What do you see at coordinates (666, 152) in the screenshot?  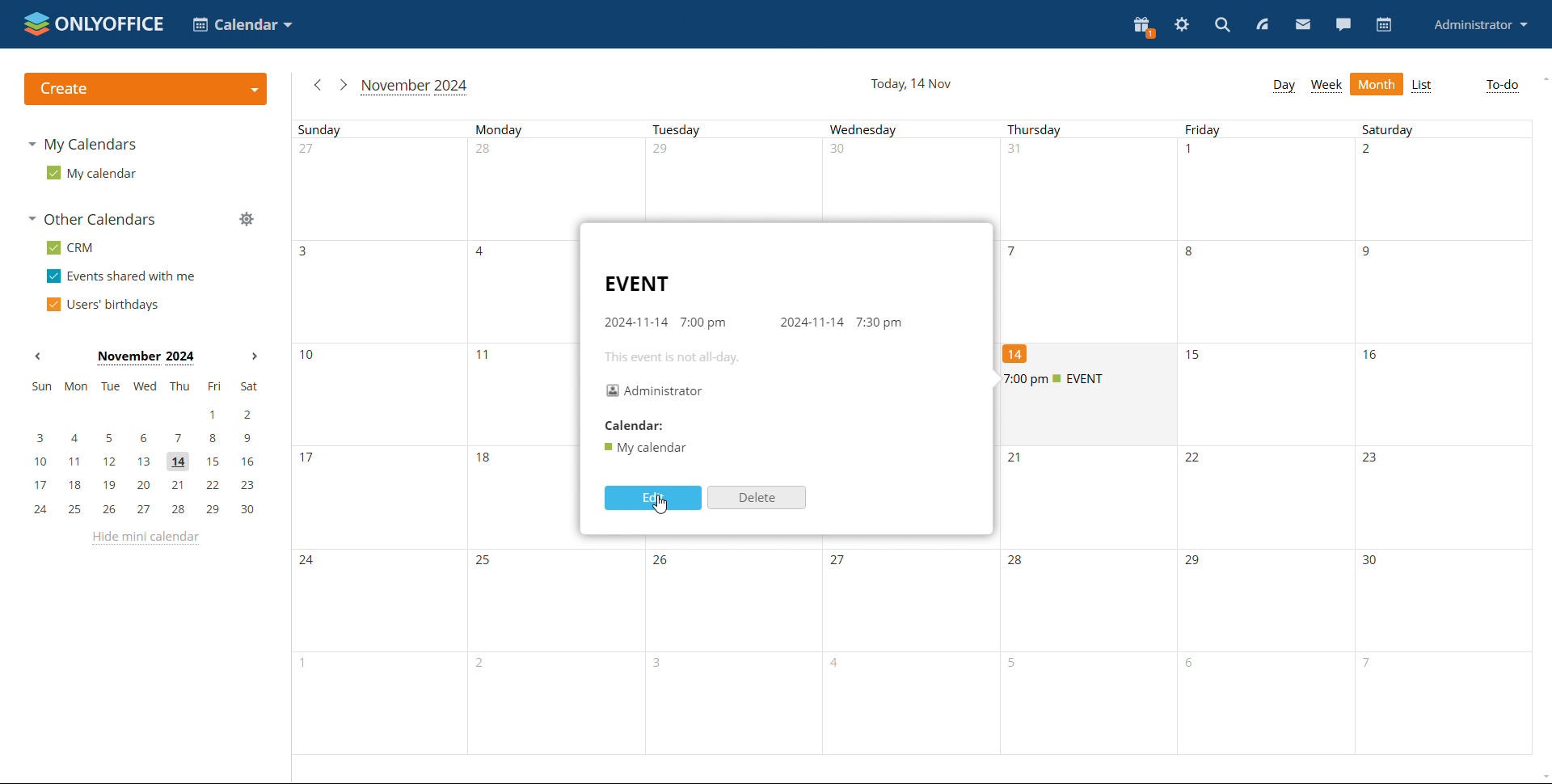 I see `number` at bounding box center [666, 152].